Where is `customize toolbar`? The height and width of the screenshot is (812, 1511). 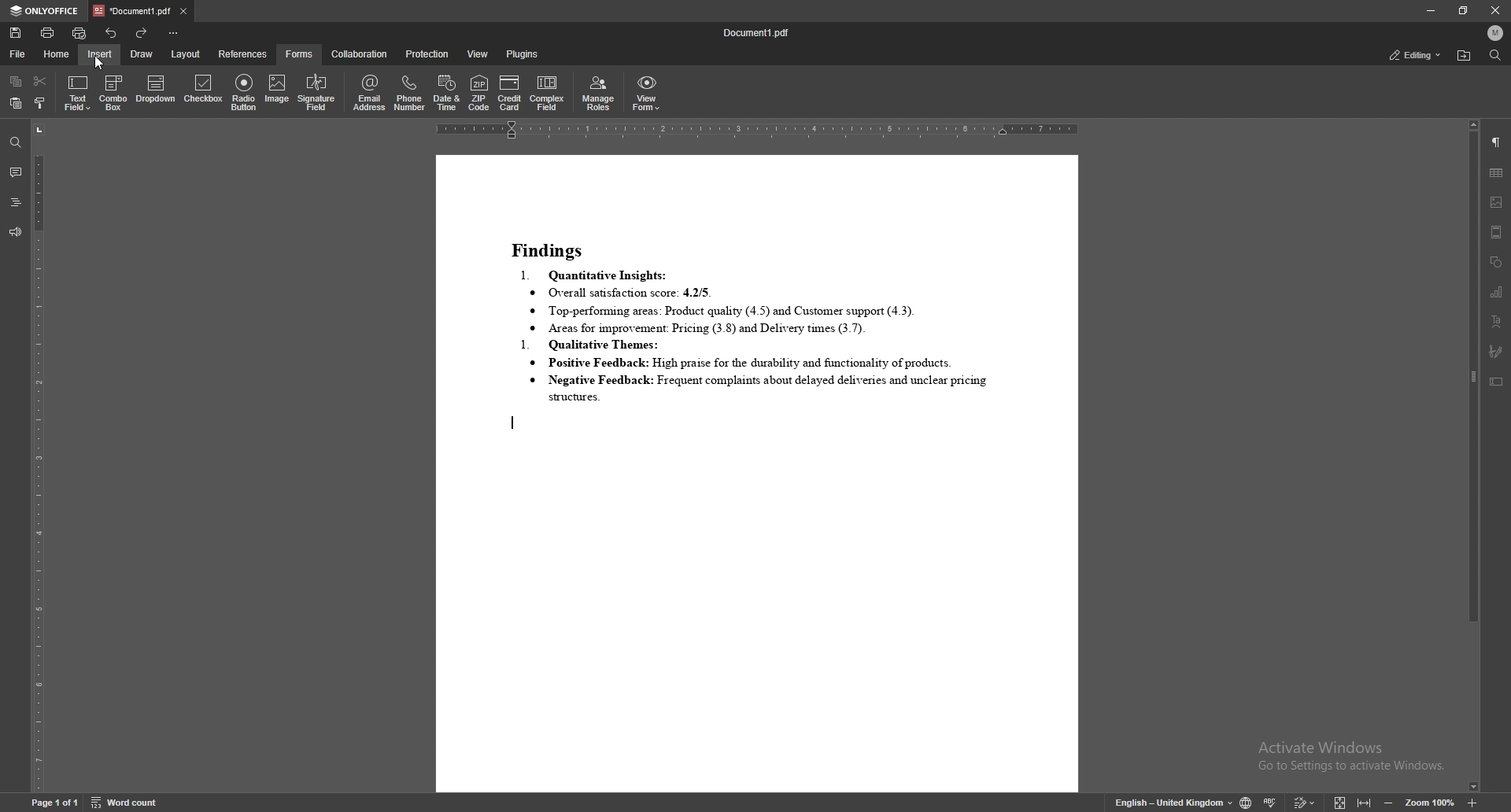 customize toolbar is located at coordinates (174, 32).